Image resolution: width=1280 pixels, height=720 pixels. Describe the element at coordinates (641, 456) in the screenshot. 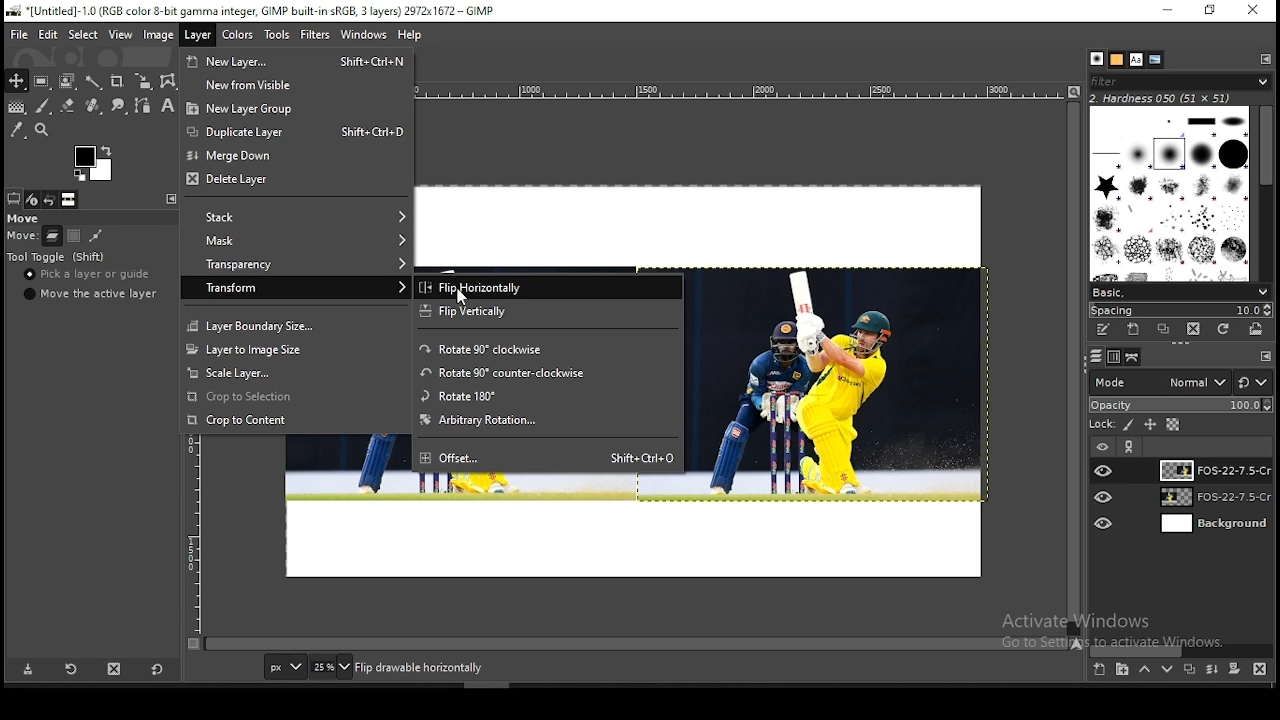

I see `Shortcut key` at that location.